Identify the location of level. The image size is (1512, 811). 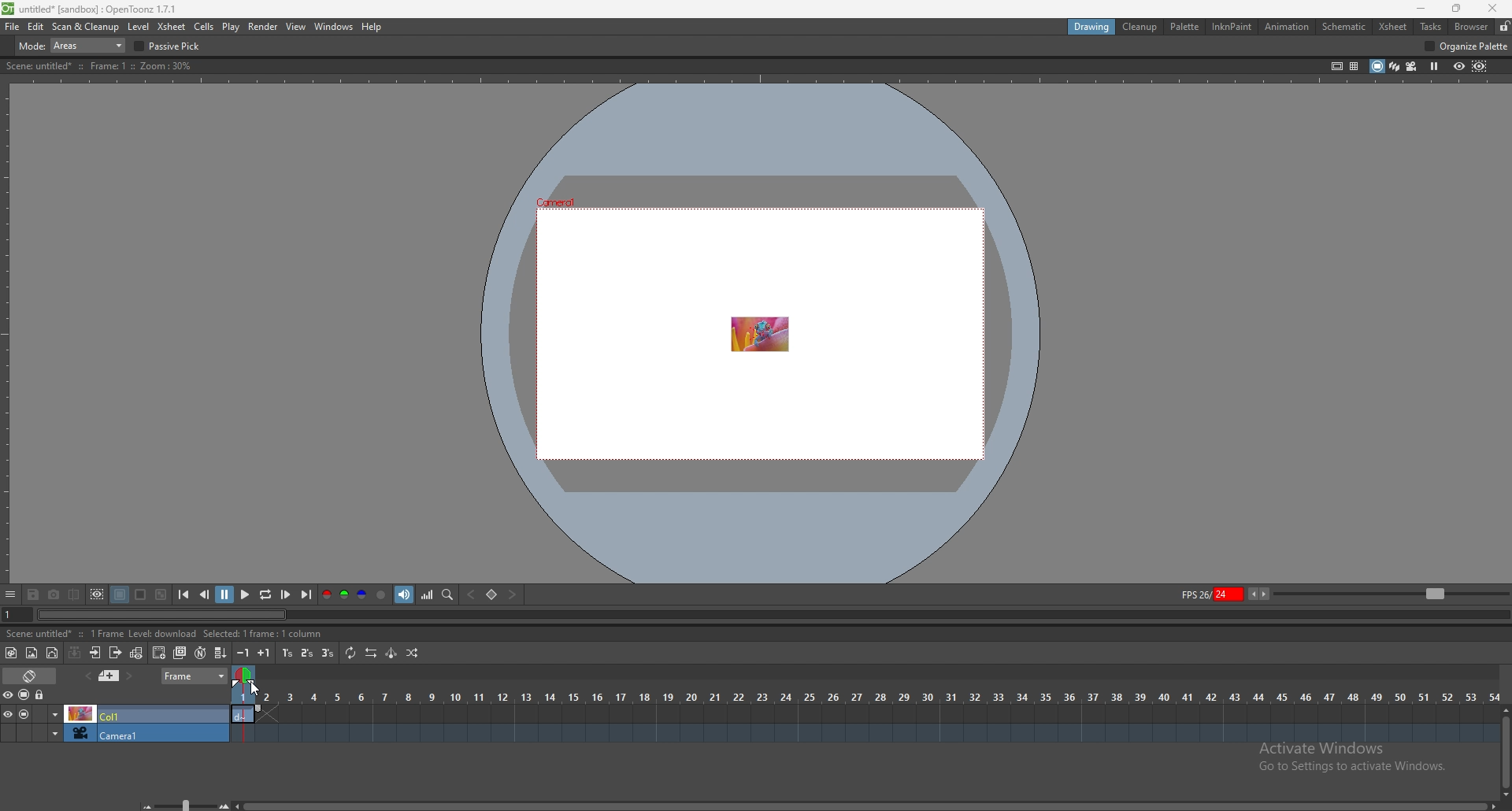
(138, 28).